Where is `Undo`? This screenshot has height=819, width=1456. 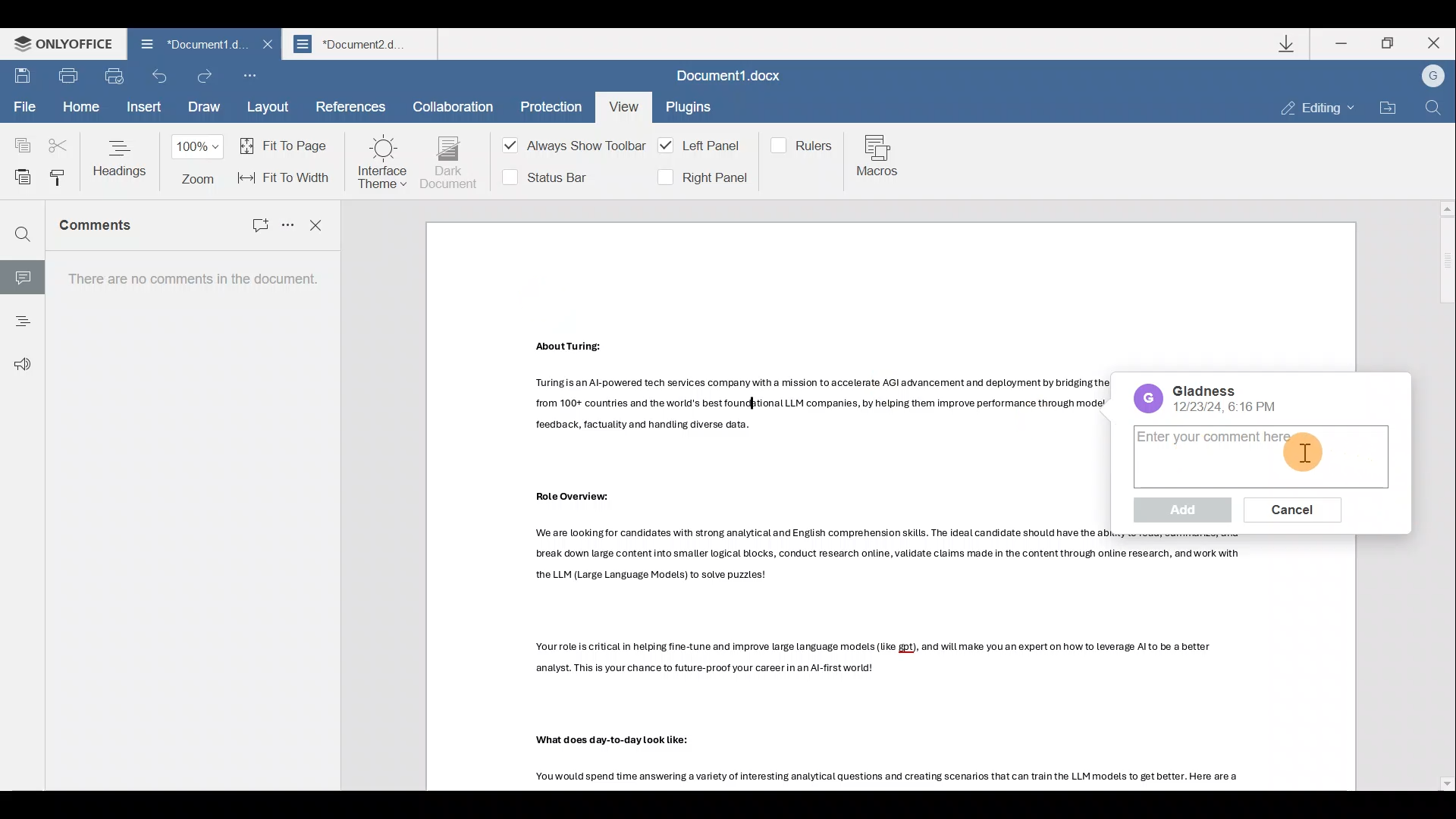
Undo is located at coordinates (161, 80).